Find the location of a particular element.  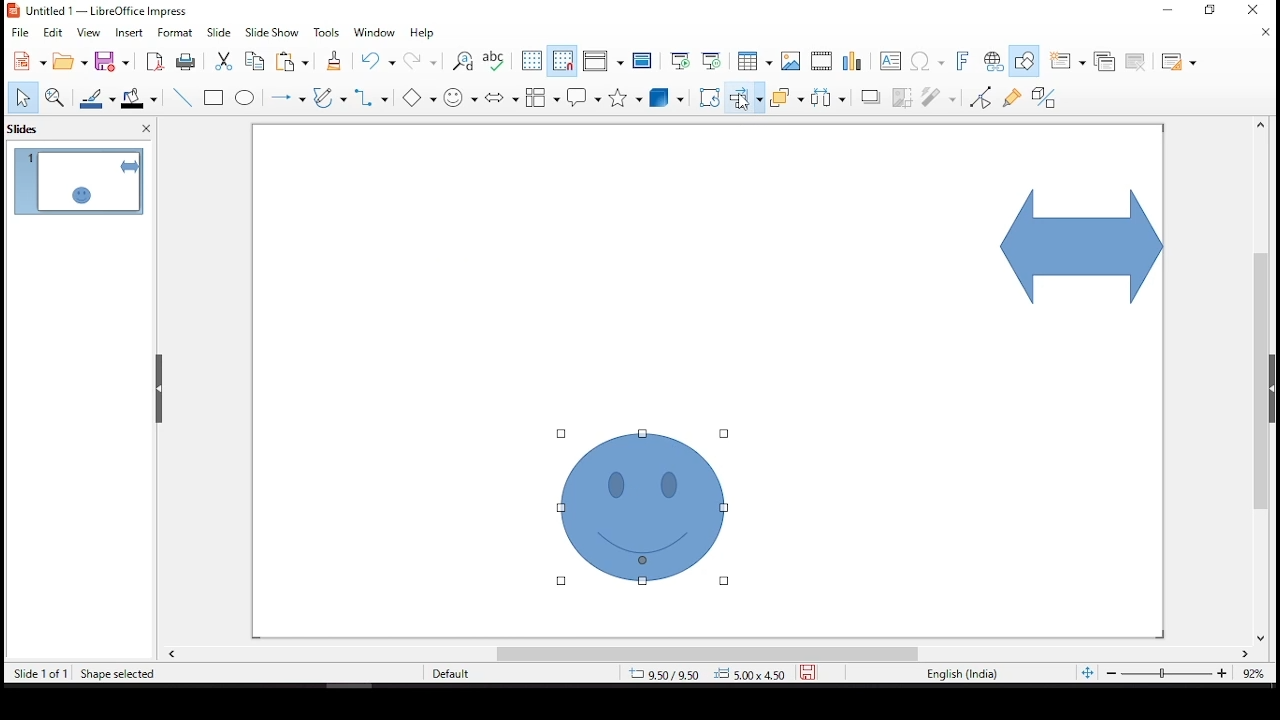

delete slide is located at coordinates (1135, 62).